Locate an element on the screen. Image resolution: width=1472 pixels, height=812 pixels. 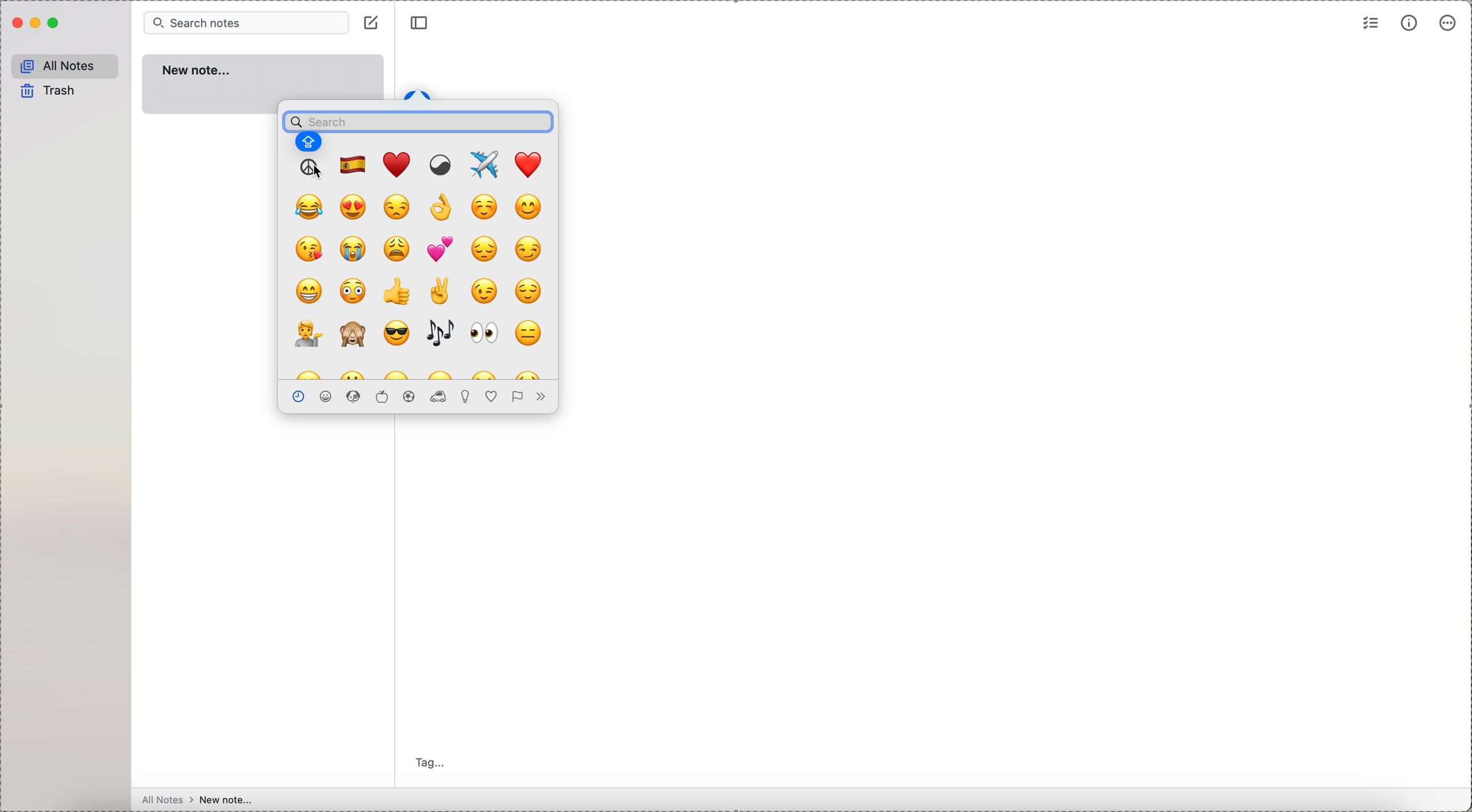
emojis is located at coordinates (354, 396).